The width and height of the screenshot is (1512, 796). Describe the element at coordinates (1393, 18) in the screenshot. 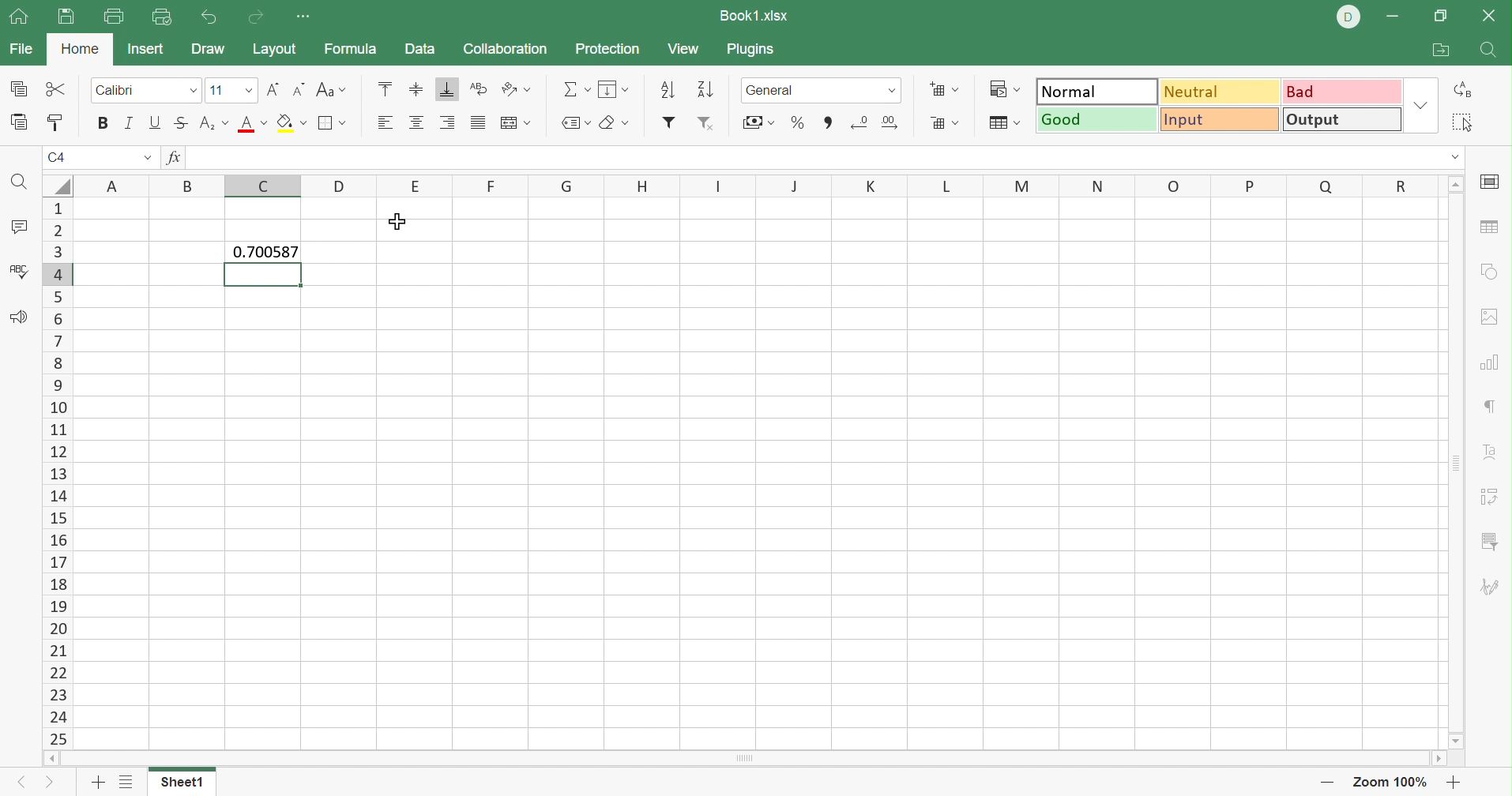

I see `Minimize` at that location.